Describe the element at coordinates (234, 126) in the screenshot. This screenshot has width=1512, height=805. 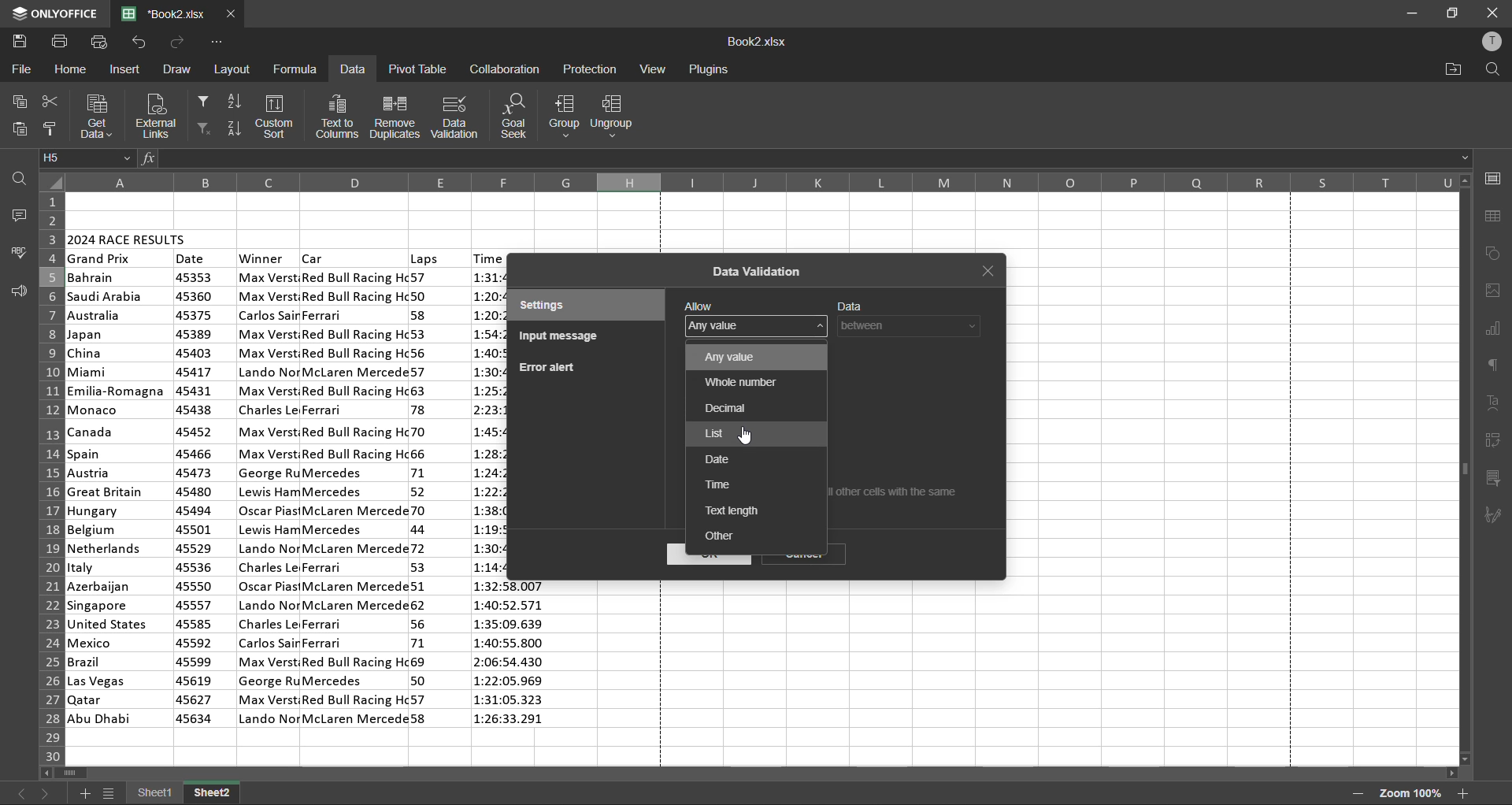
I see `sort descending` at that location.